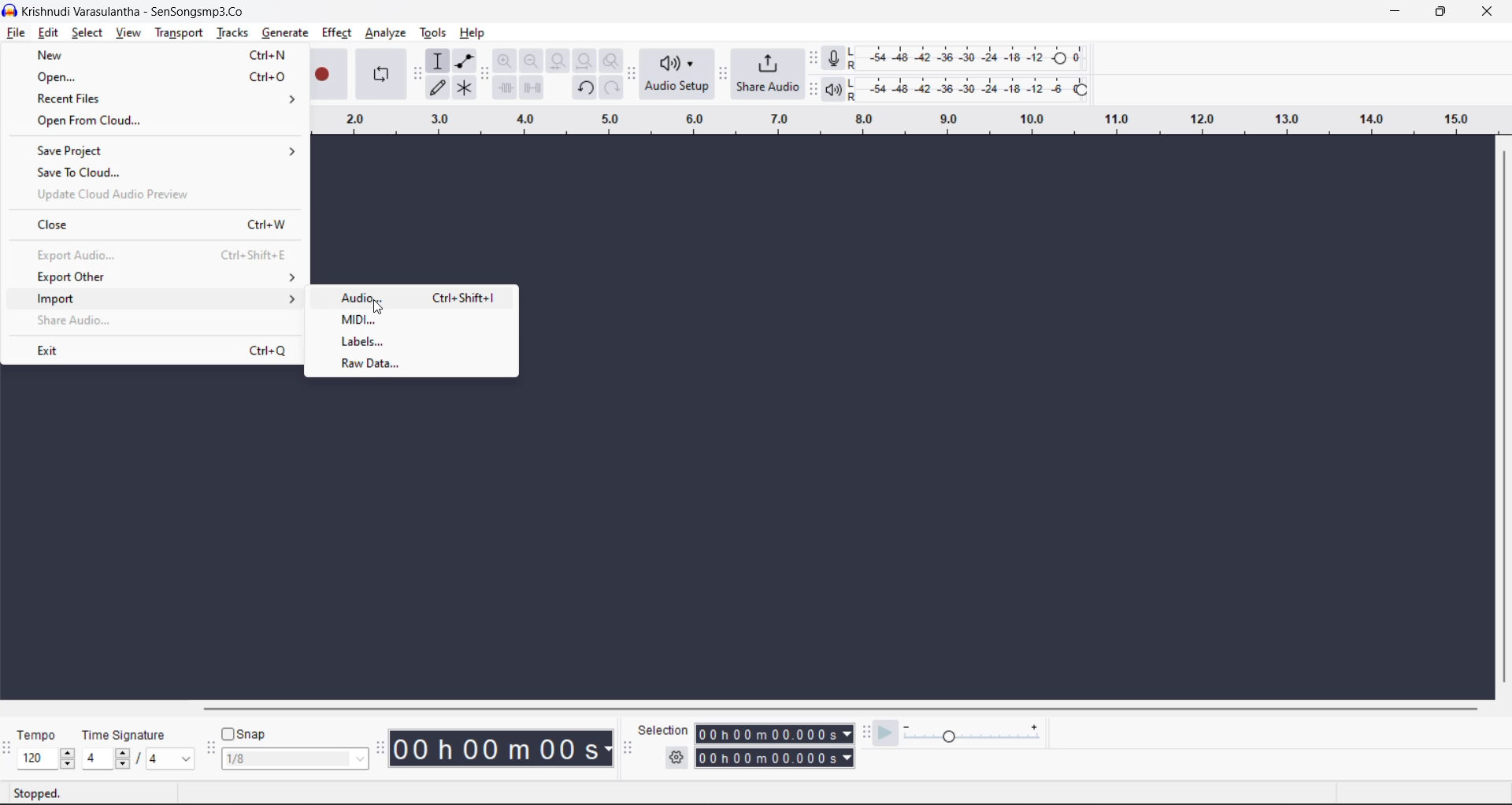 Image resolution: width=1512 pixels, height=805 pixels. Describe the element at coordinates (841, 89) in the screenshot. I see `playback meter` at that location.